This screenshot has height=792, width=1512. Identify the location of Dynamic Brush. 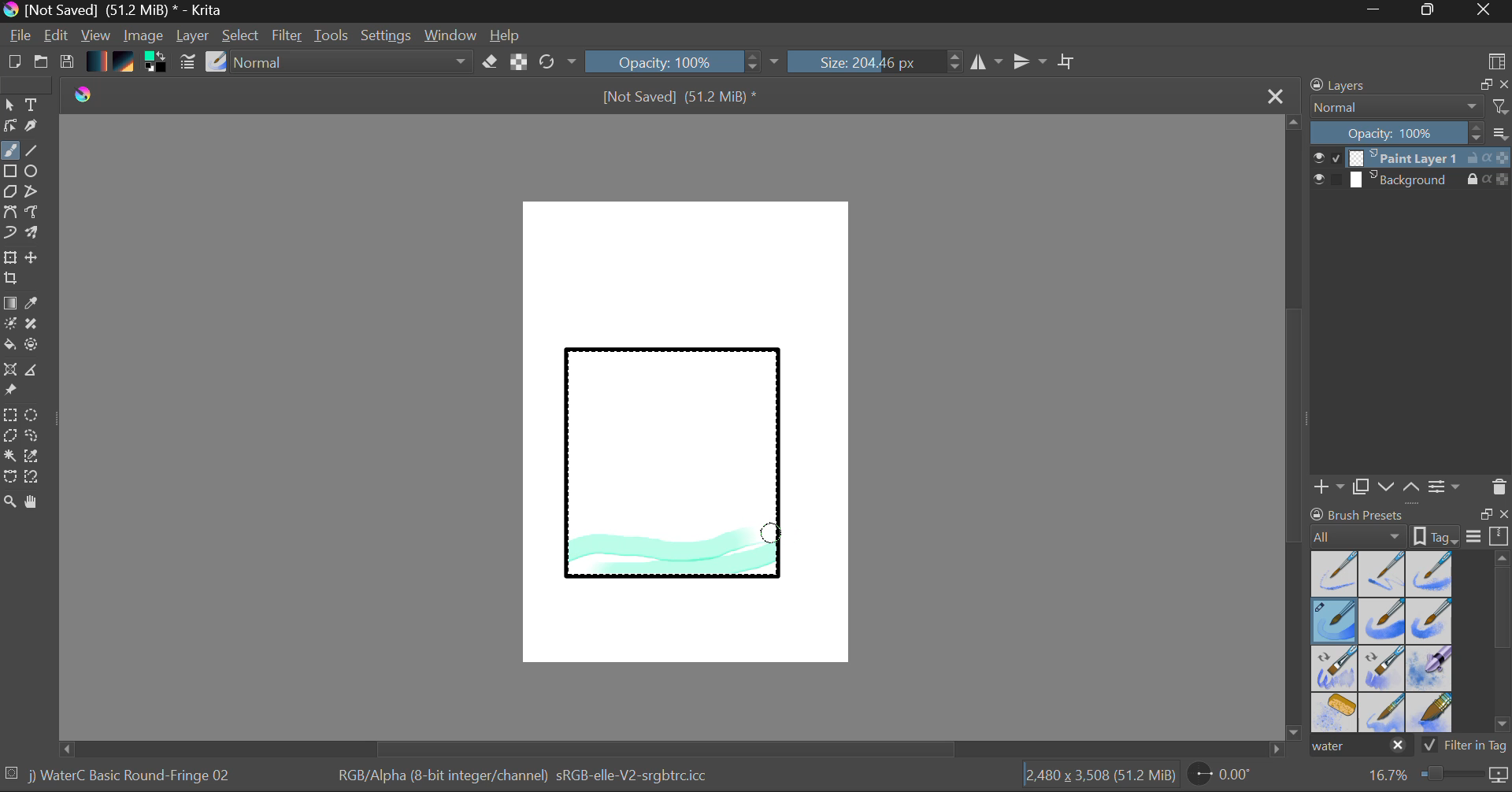
(9, 233).